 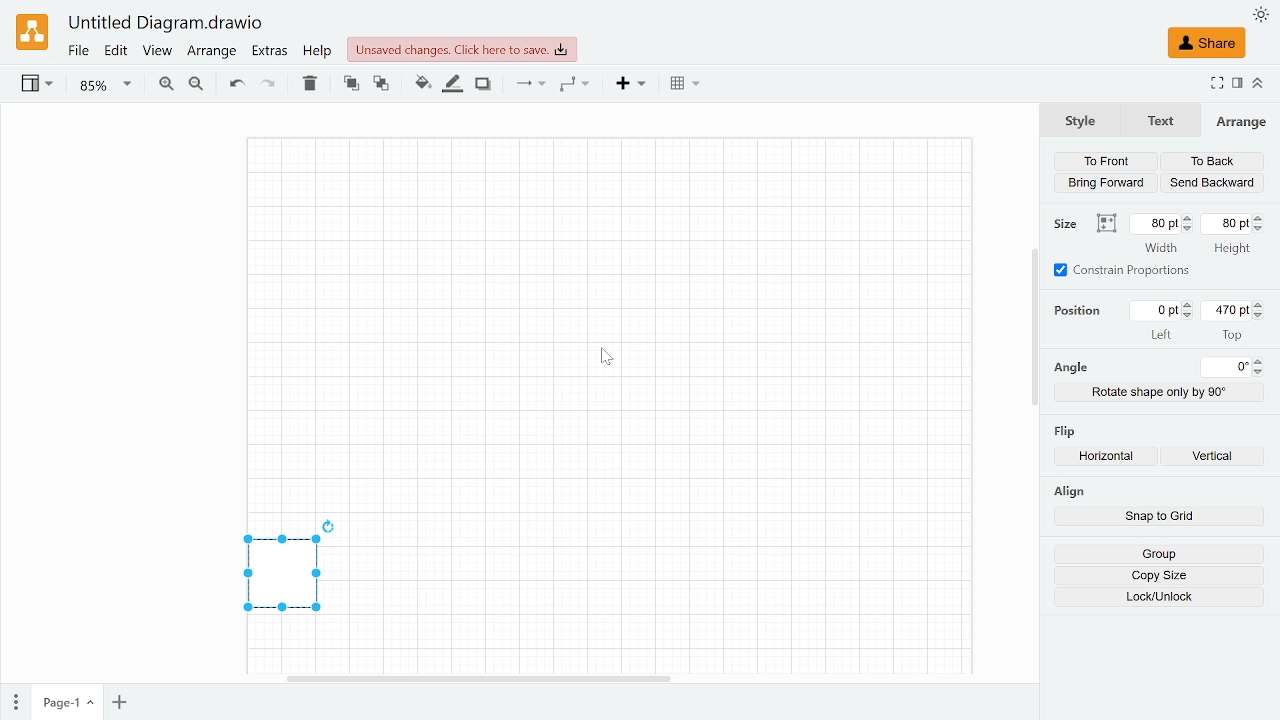 I want to click on Pointer, so click(x=607, y=357).